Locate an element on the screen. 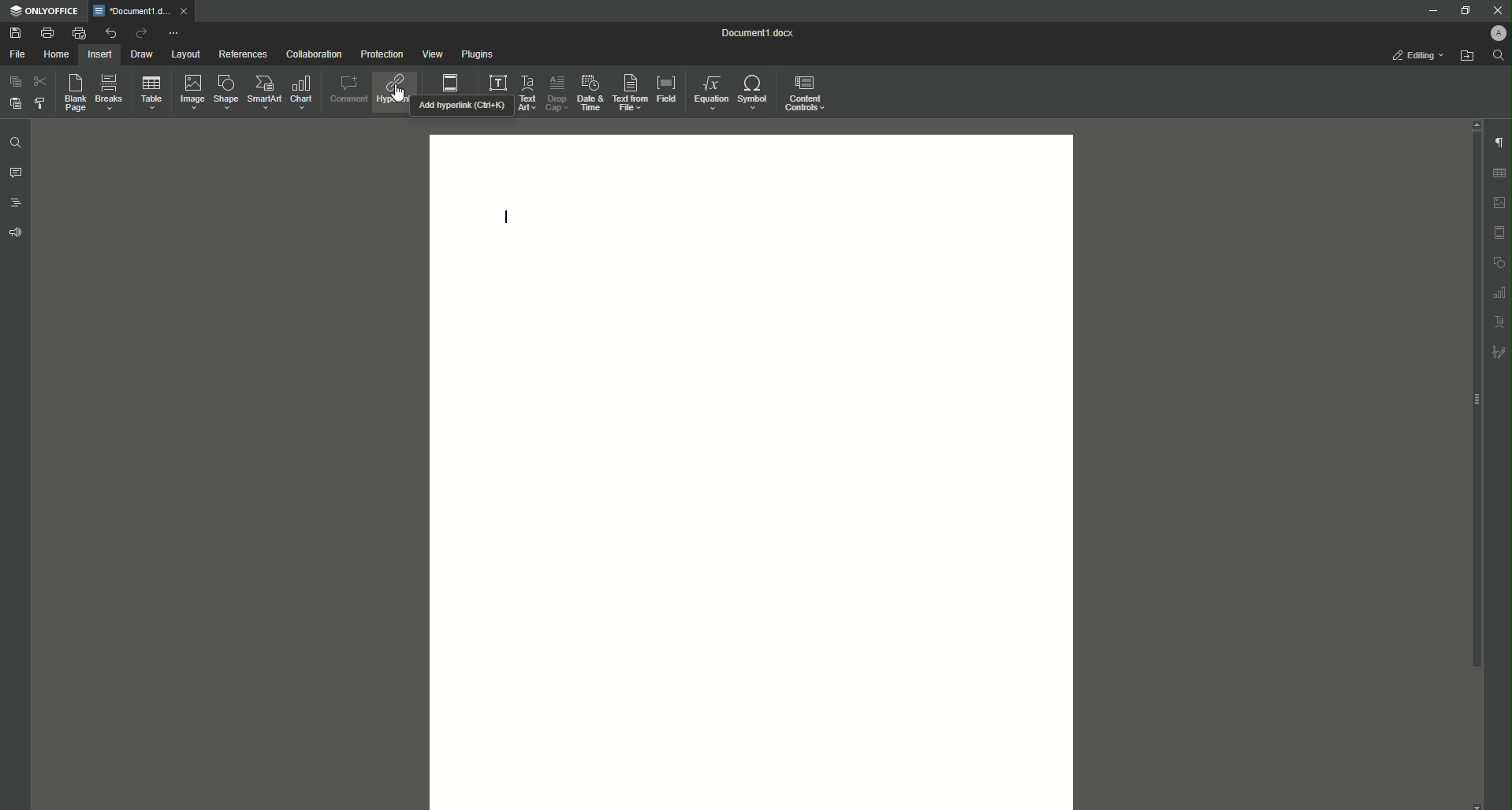  Date and Time is located at coordinates (590, 93).